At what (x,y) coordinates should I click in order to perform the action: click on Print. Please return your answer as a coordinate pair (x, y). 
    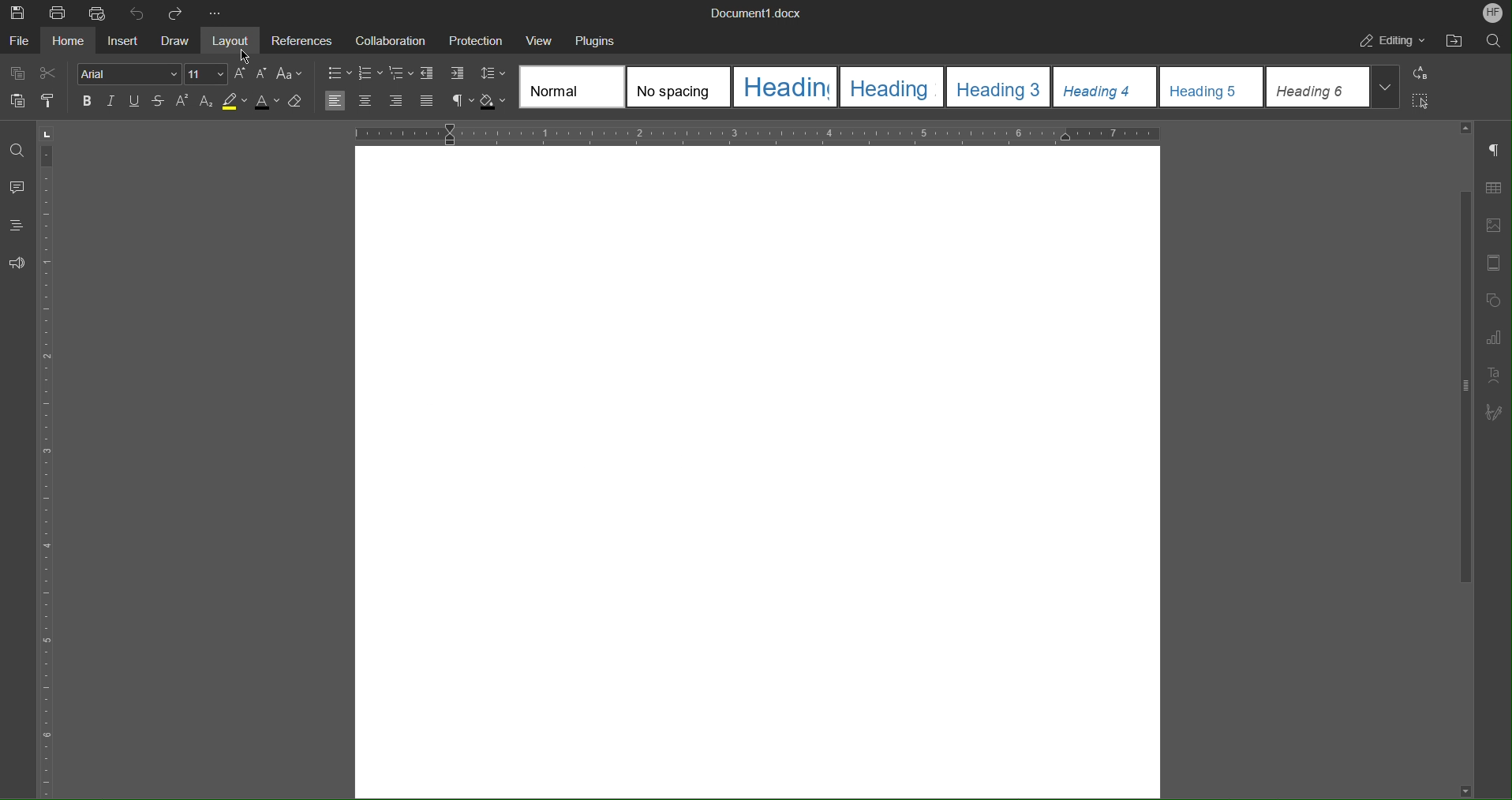
    Looking at the image, I should click on (59, 13).